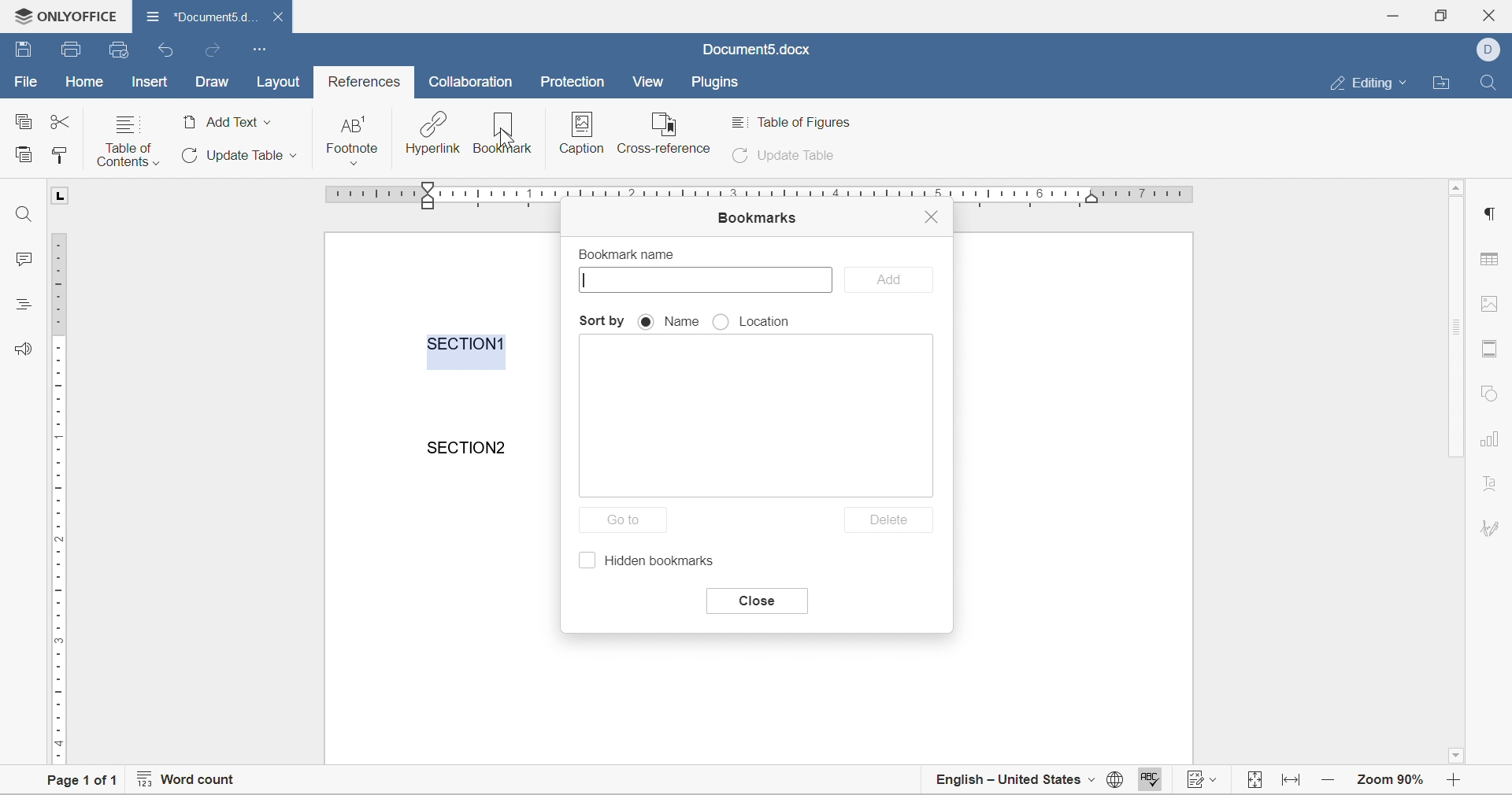  I want to click on image settings, so click(1487, 303).